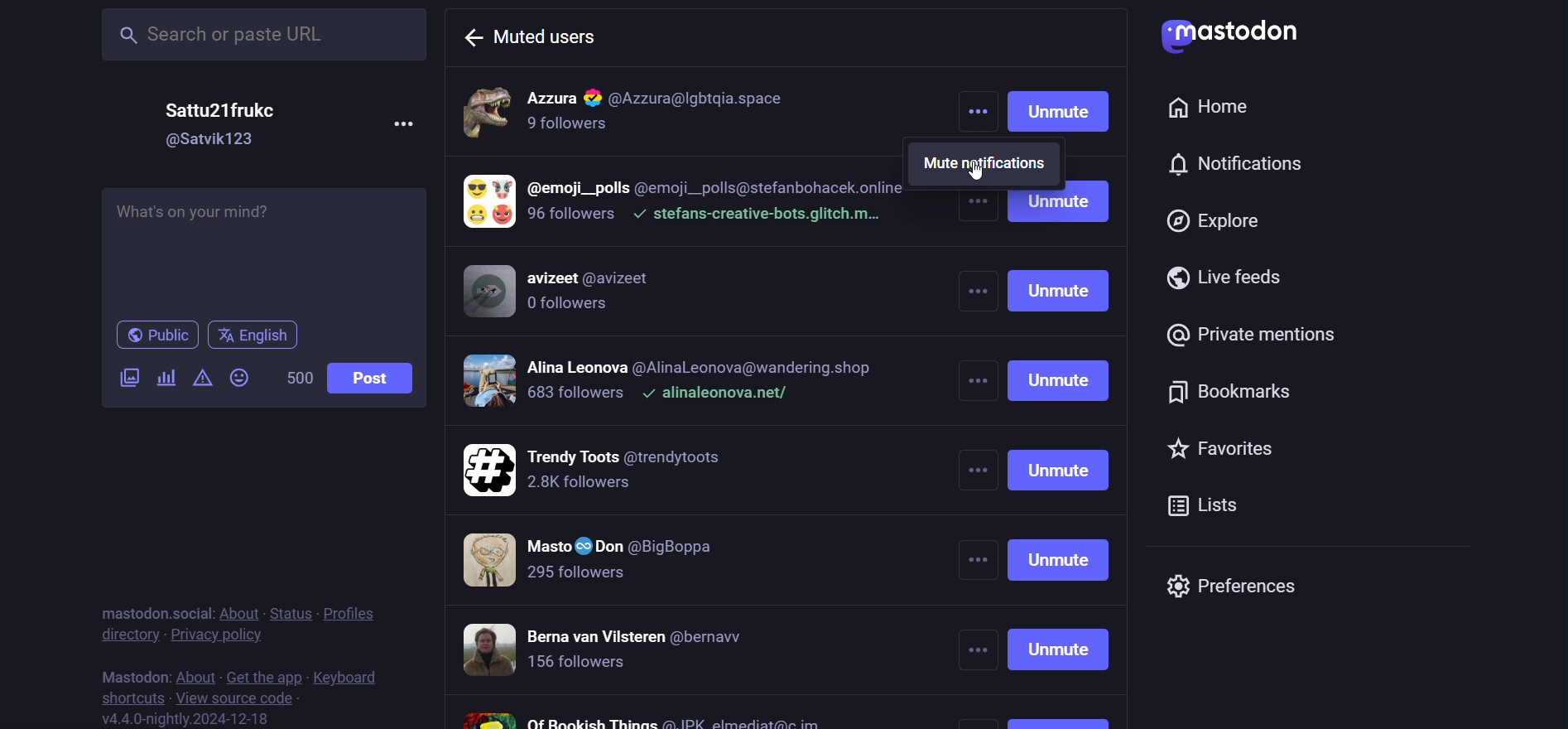 The height and width of the screenshot is (729, 1568). What do you see at coordinates (686, 204) in the screenshot?
I see `muter users 2` at bounding box center [686, 204].